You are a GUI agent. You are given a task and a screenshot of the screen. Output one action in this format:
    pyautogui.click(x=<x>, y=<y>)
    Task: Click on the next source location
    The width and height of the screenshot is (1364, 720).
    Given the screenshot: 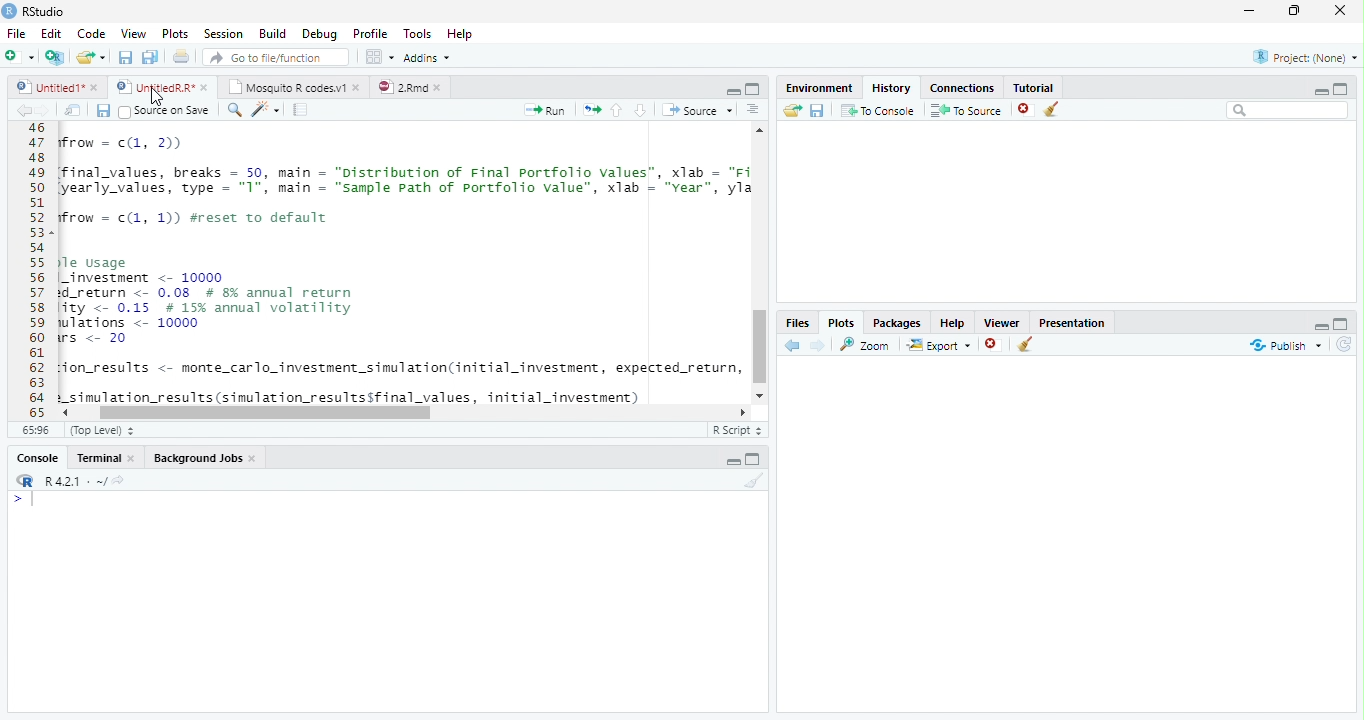 What is the action you would take?
    pyautogui.click(x=44, y=110)
    